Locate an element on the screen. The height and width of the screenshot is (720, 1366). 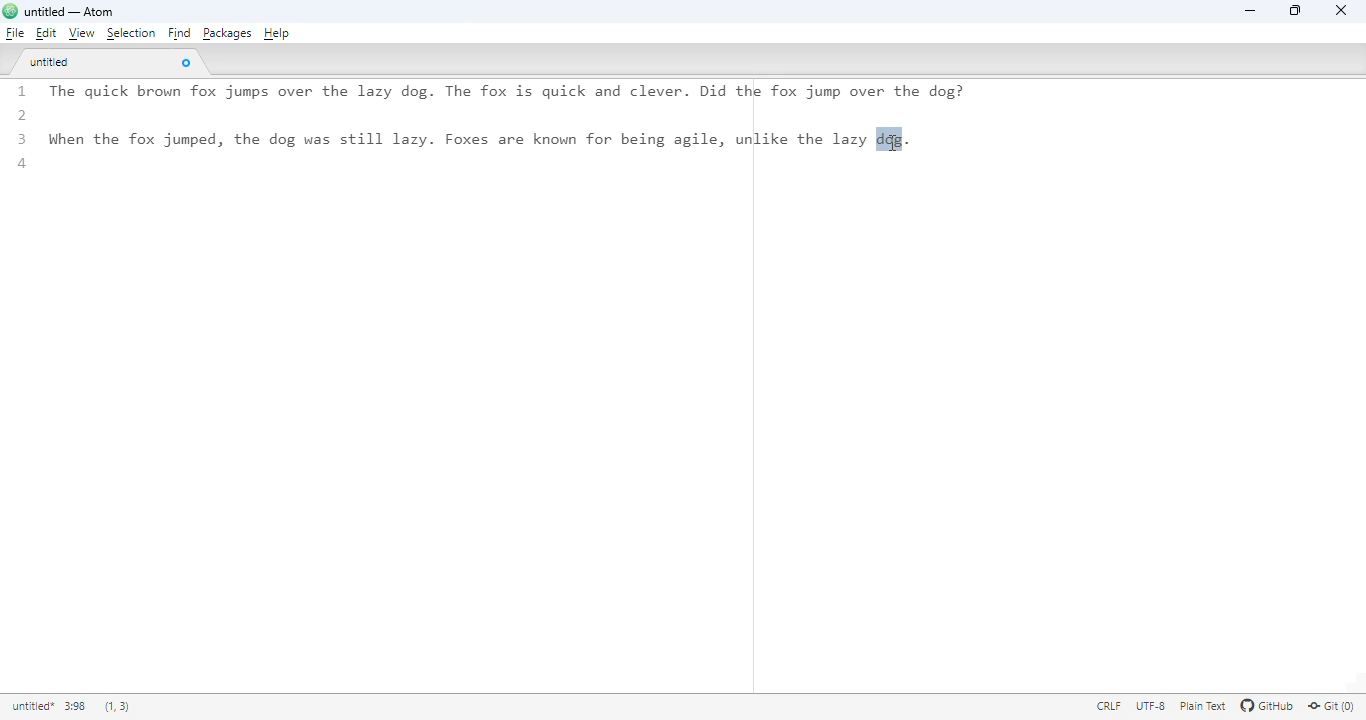
title is located at coordinates (32, 707).